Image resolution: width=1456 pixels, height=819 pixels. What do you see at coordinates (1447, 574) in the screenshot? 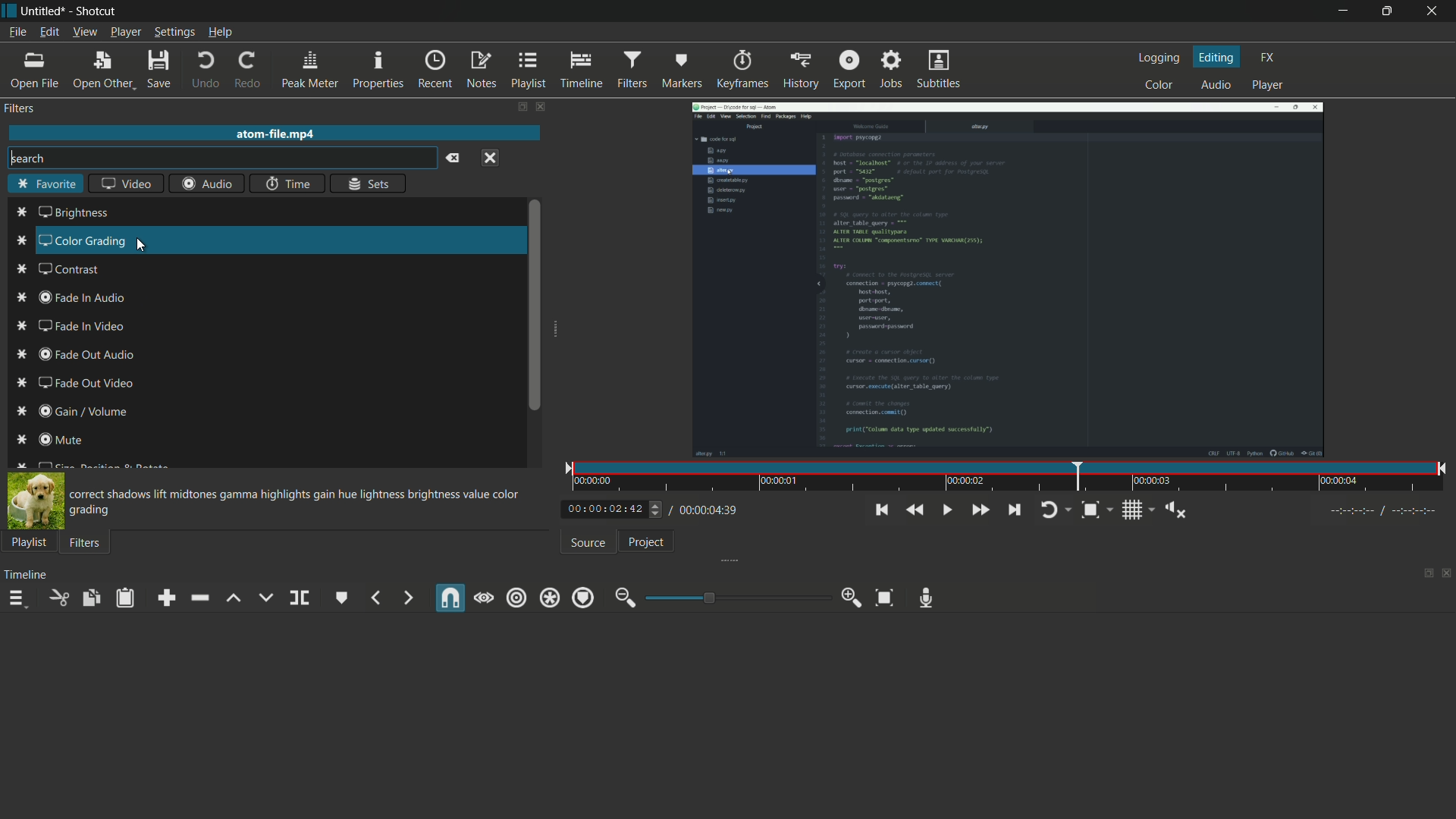
I see `close timeline` at bounding box center [1447, 574].